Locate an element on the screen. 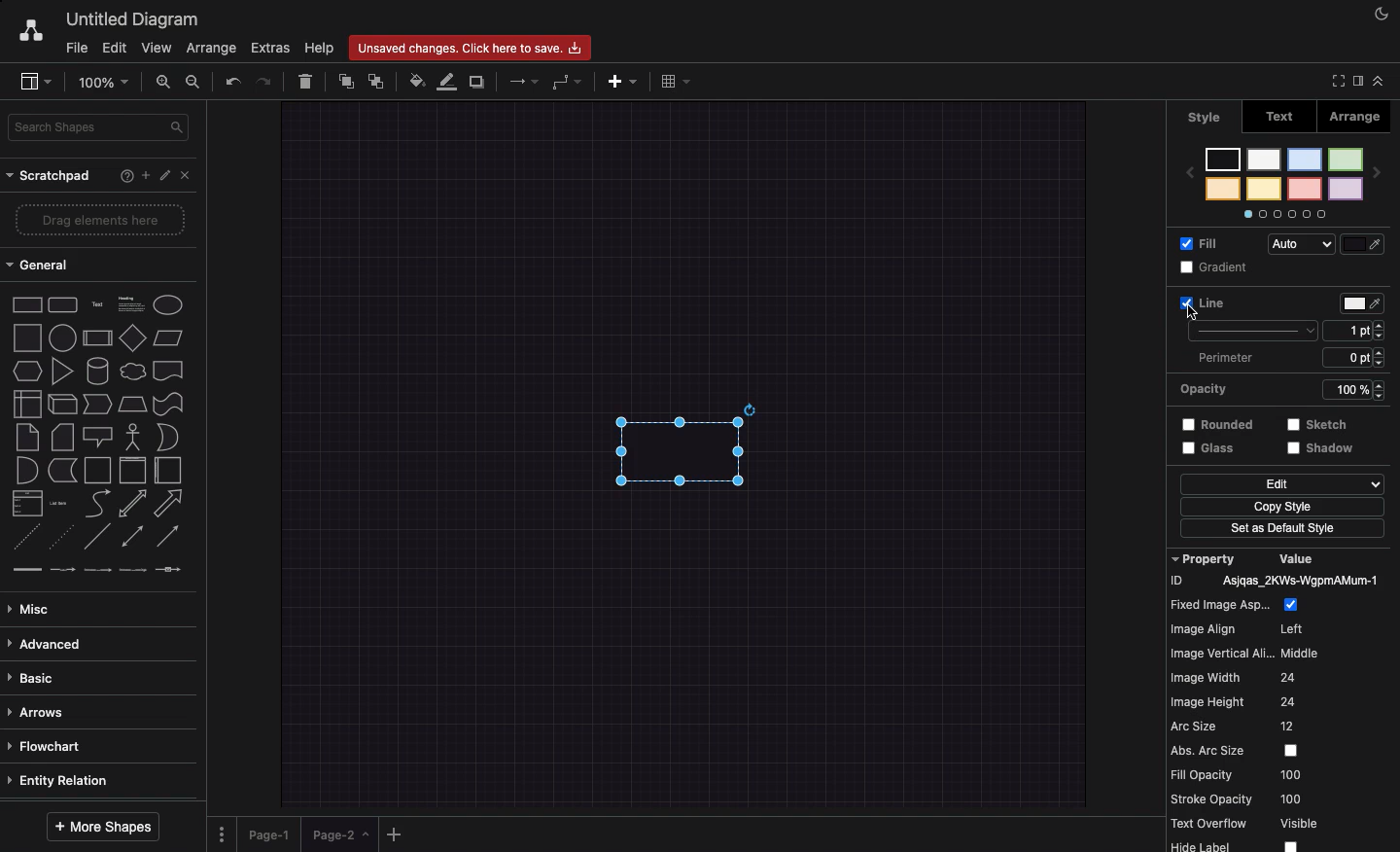  process is located at coordinates (96, 338).